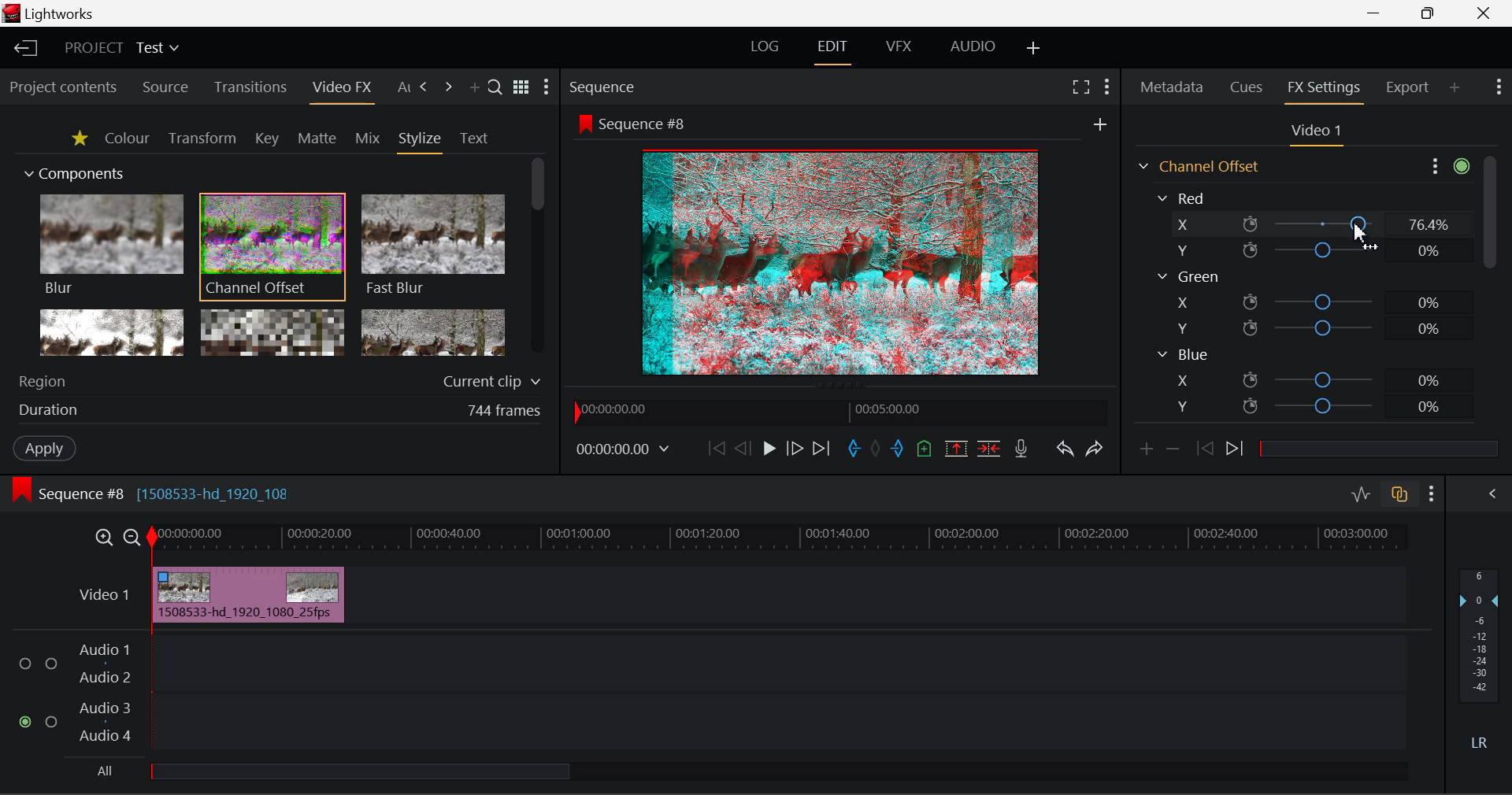 The width and height of the screenshot is (1512, 795). I want to click on FX Settings, so click(1325, 89).